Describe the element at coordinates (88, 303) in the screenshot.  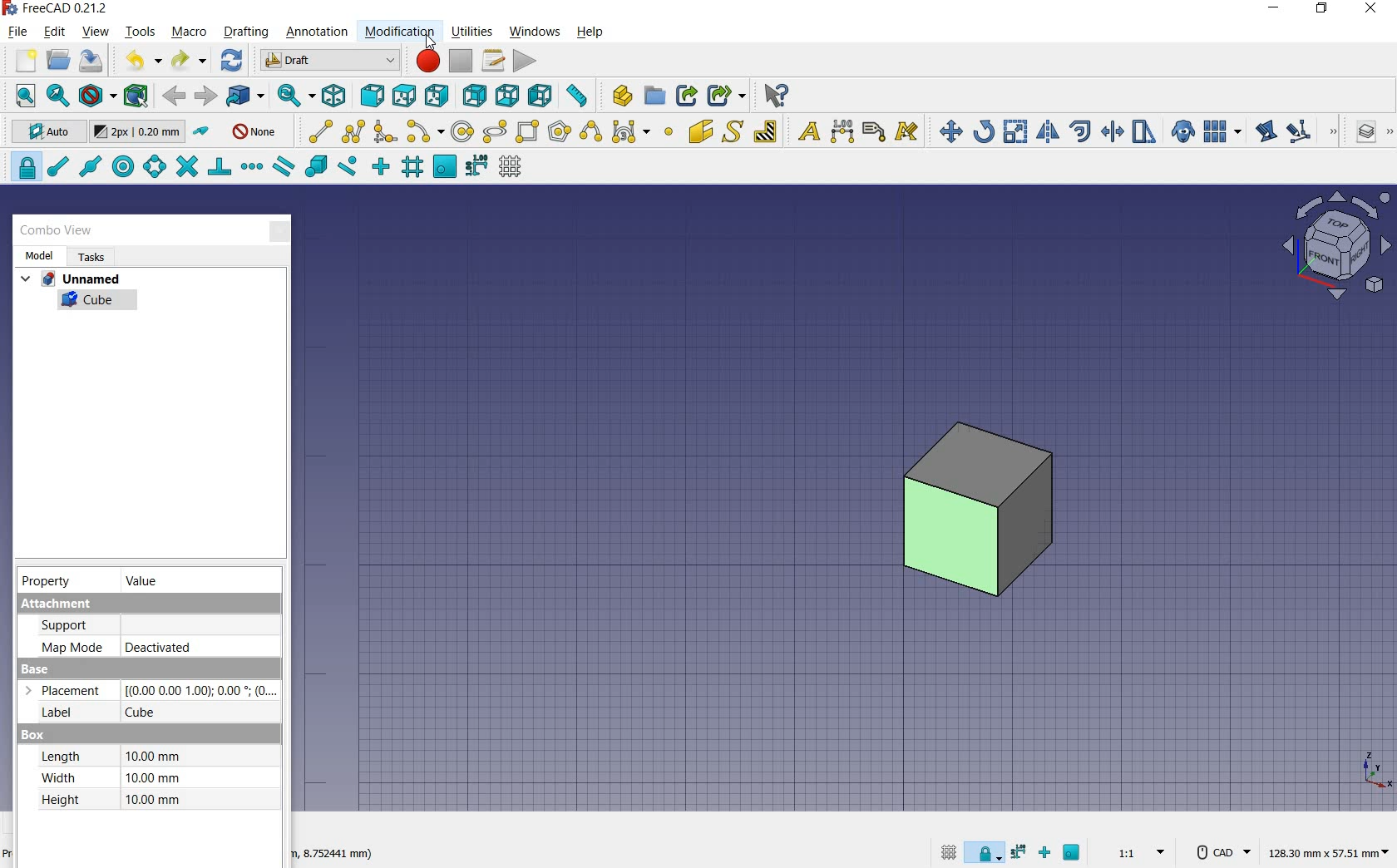
I see `cube` at that location.